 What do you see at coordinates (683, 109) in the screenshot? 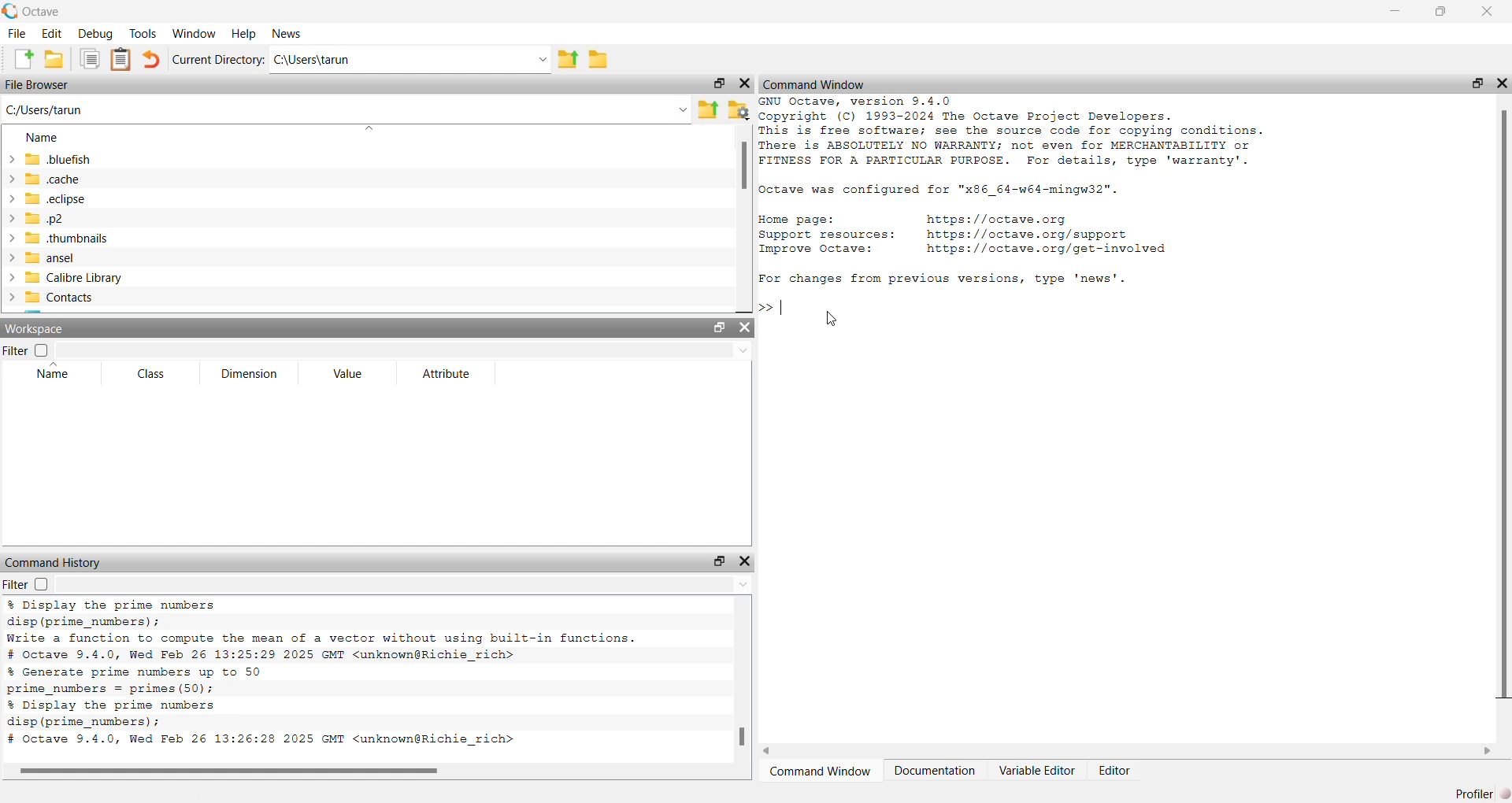
I see `Drop-down ` at bounding box center [683, 109].